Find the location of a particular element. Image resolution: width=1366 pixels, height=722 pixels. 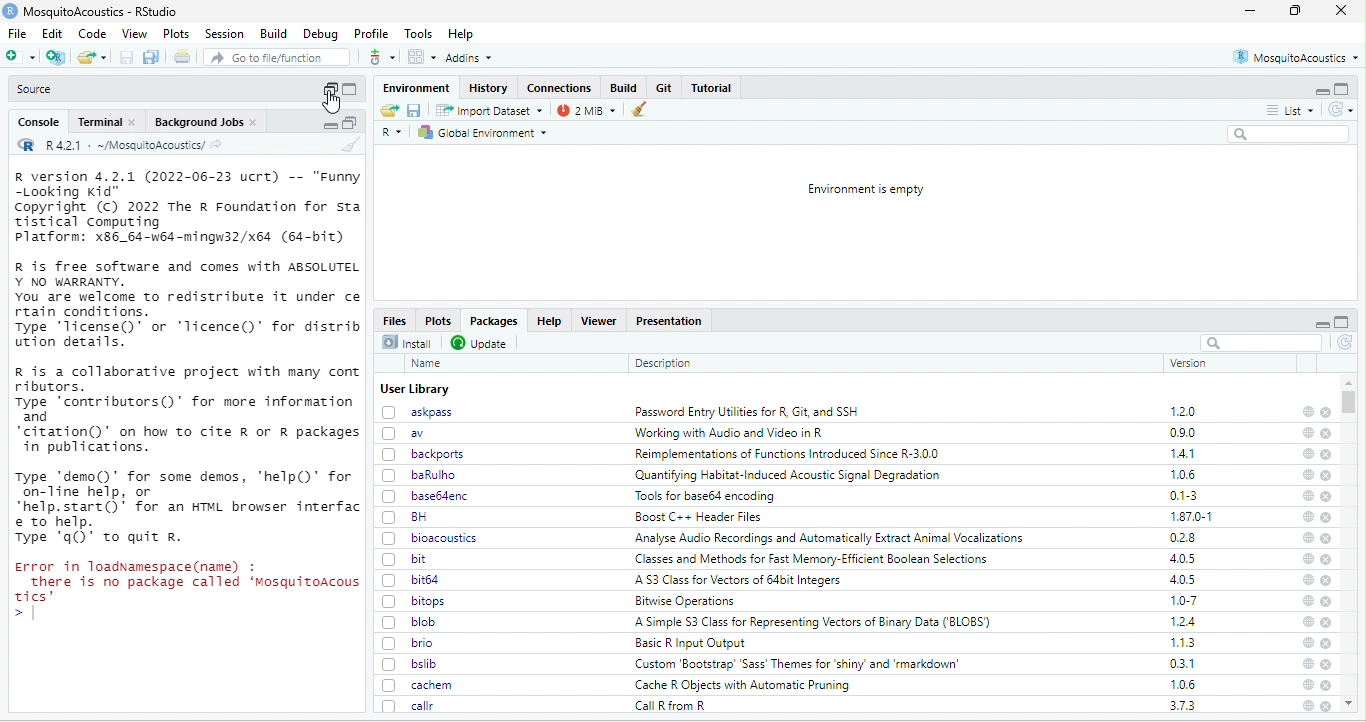

0.2.8 is located at coordinates (1181, 538).